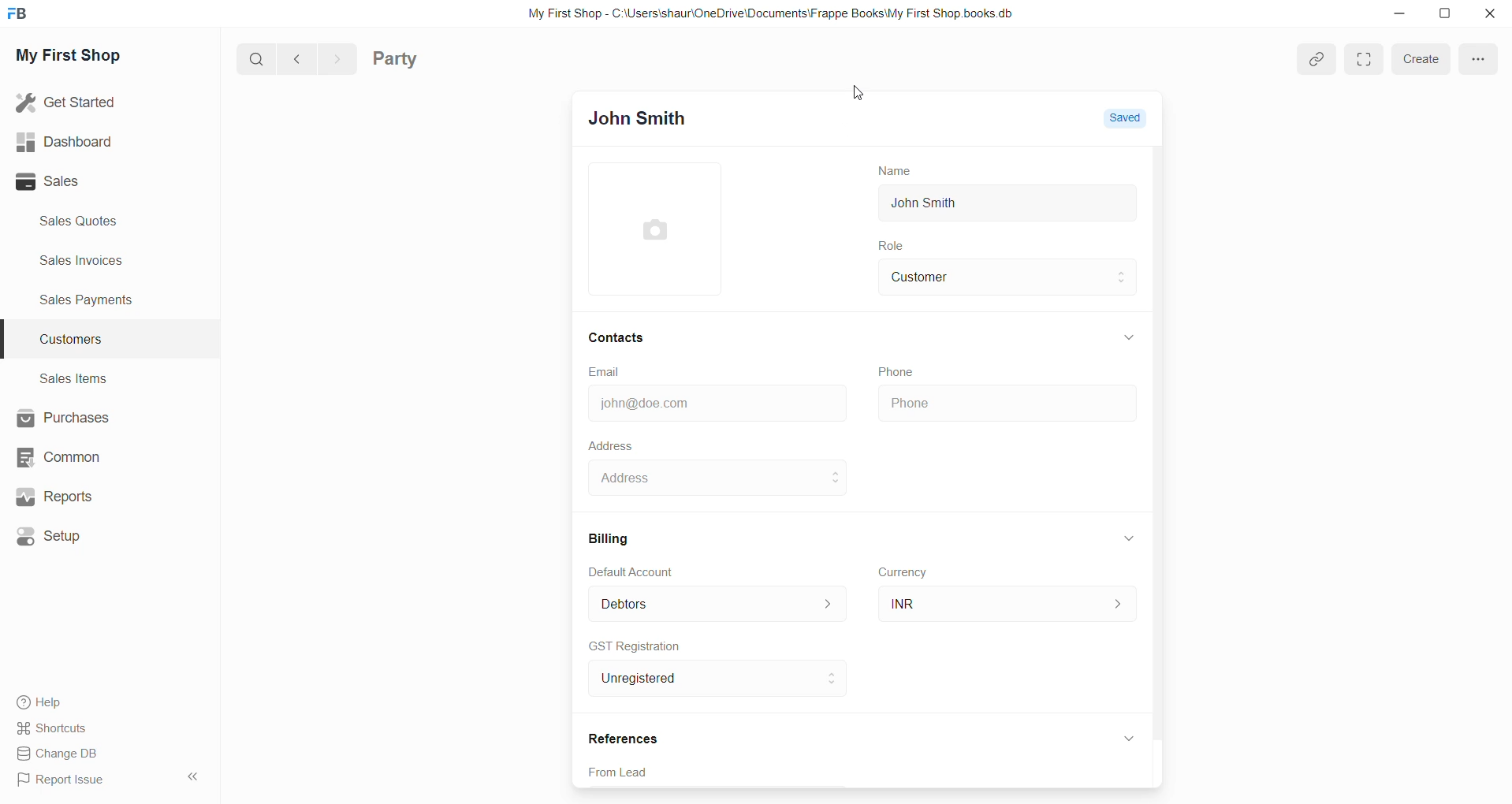 The width and height of the screenshot is (1512, 804). Describe the element at coordinates (61, 779) in the screenshot. I see `Report Issue` at that location.